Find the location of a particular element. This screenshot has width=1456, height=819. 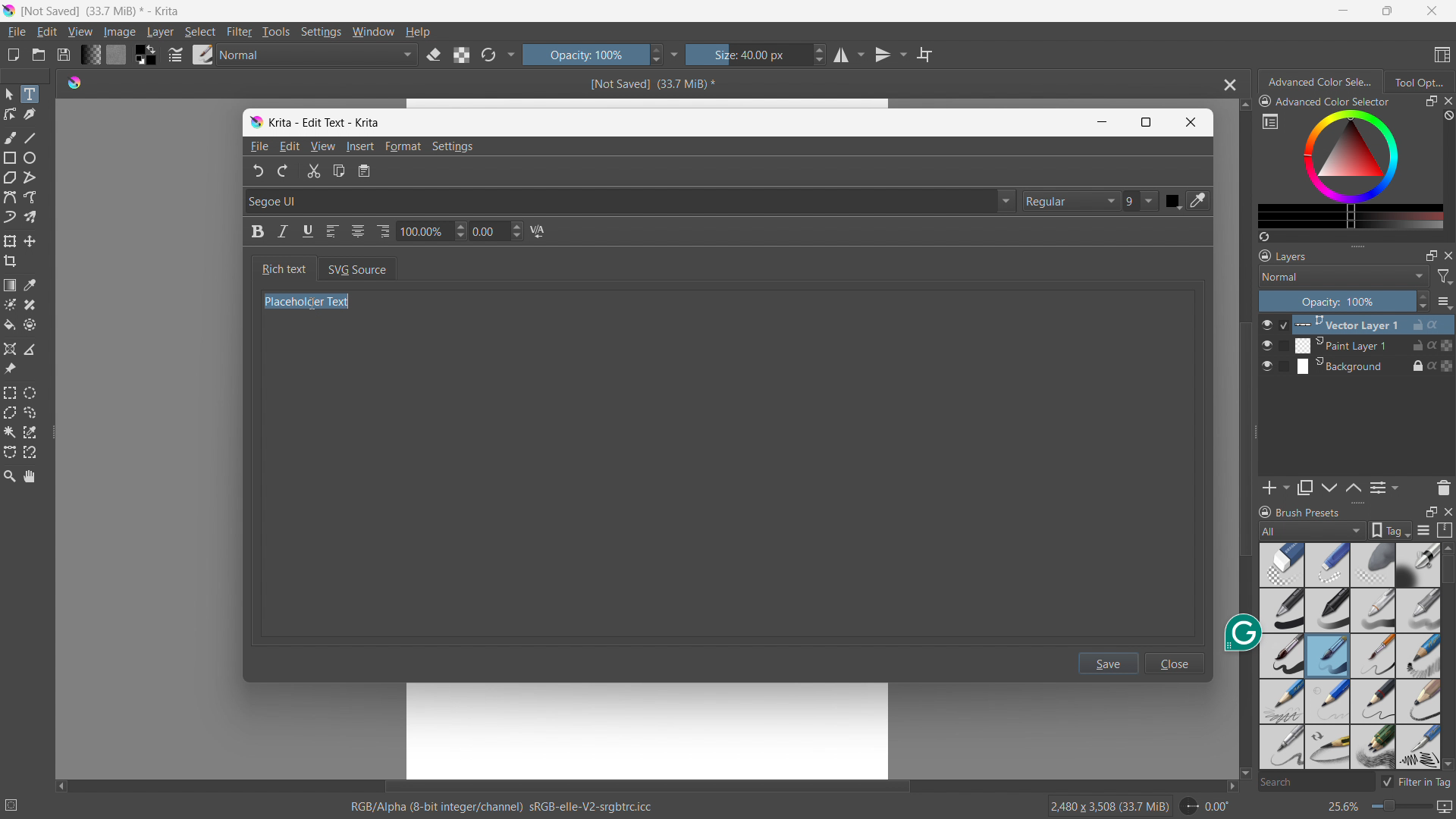

create a list of colors from the picture is located at coordinates (1264, 237).